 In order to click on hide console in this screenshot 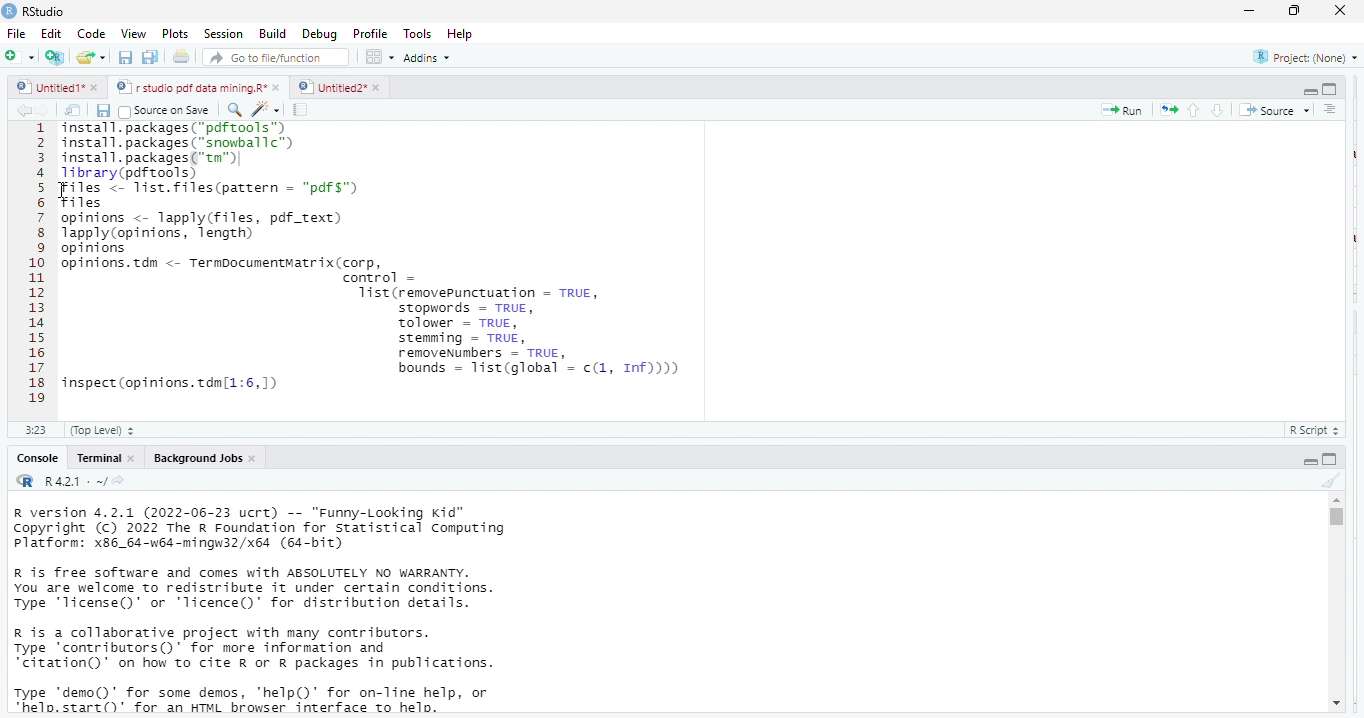, I will do `click(1331, 458)`.